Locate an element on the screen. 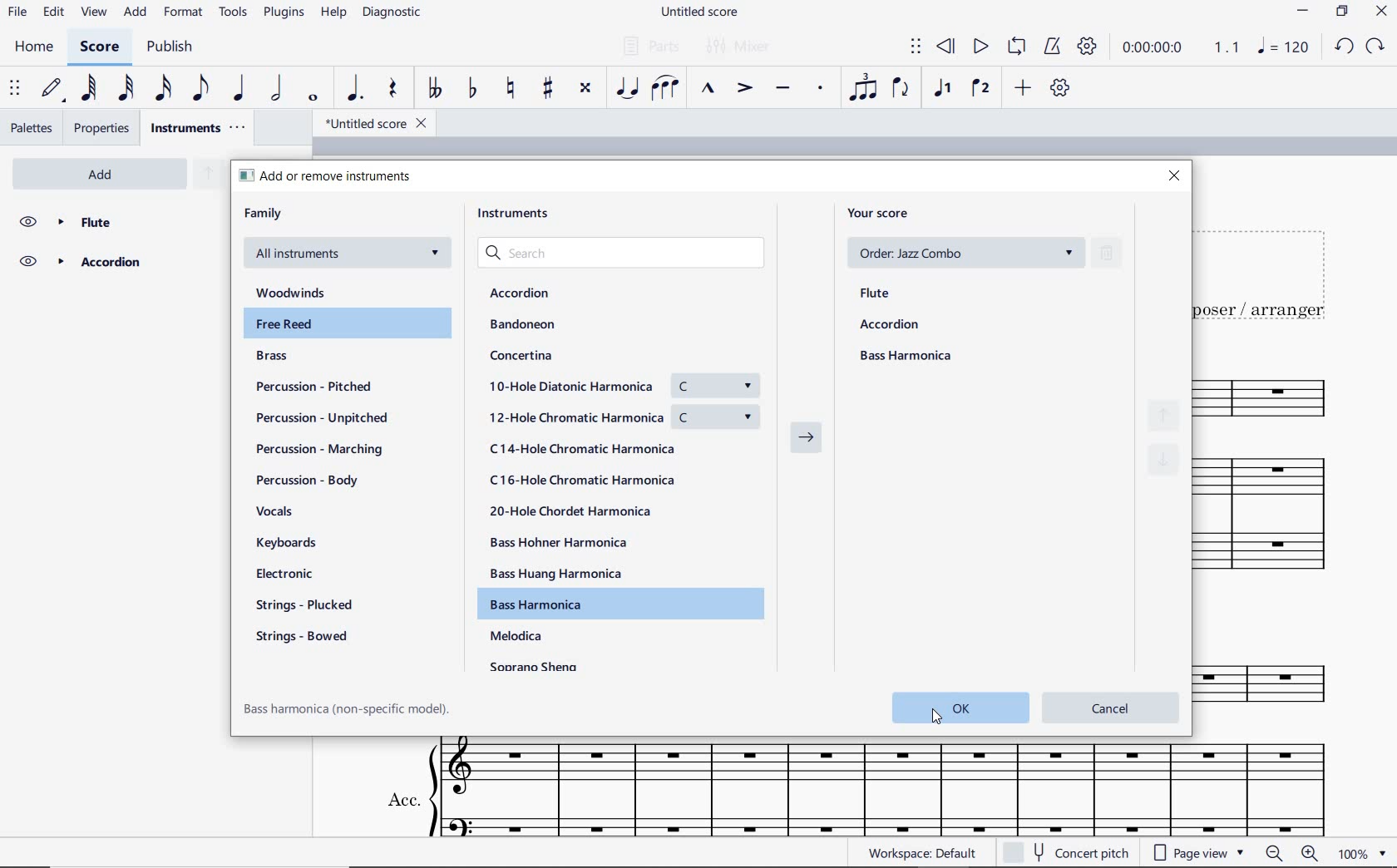  HELP is located at coordinates (334, 13).